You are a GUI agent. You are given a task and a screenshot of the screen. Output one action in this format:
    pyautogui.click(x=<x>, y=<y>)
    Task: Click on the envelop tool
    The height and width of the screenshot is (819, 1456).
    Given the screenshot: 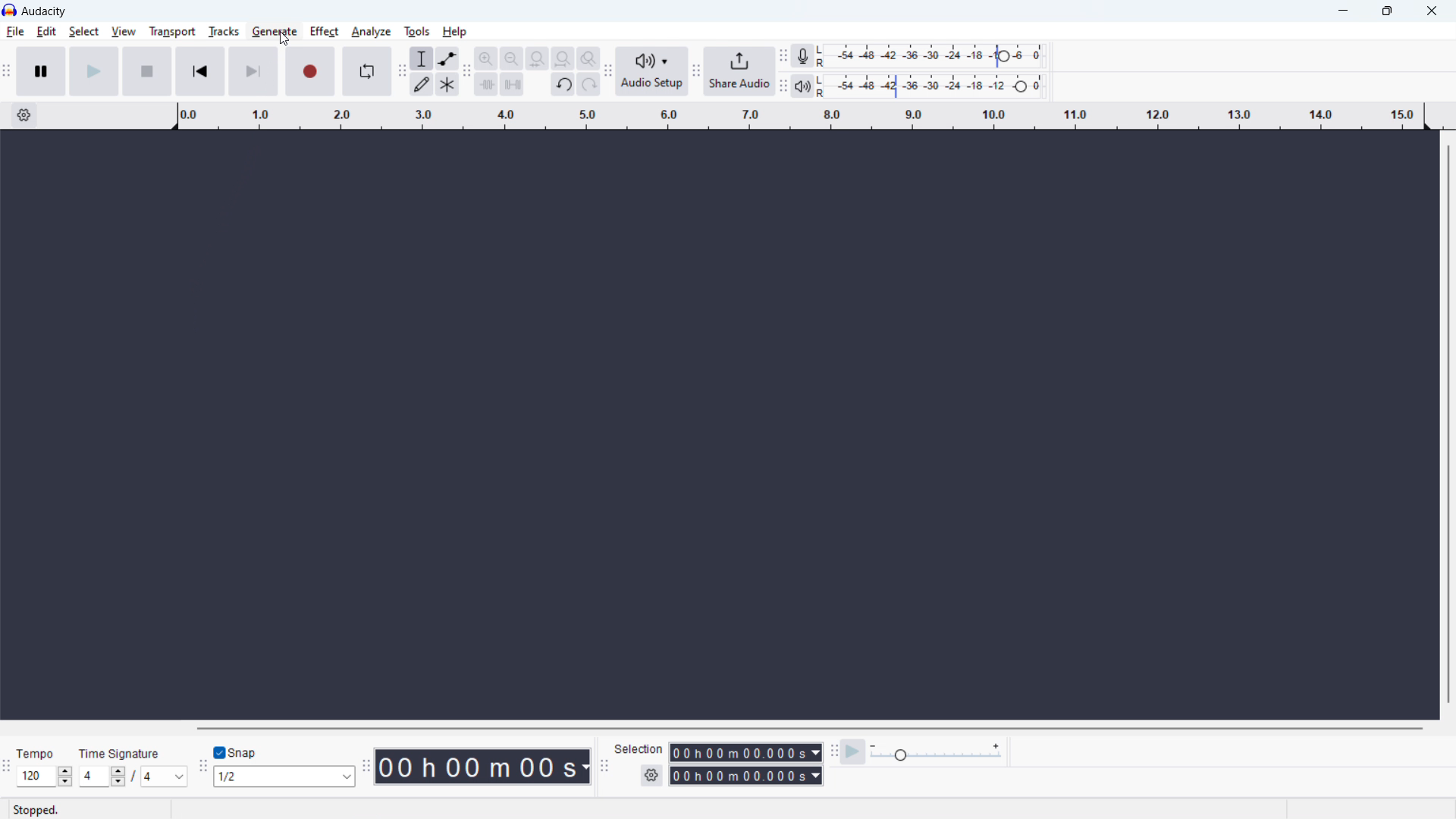 What is the action you would take?
    pyautogui.click(x=449, y=58)
    